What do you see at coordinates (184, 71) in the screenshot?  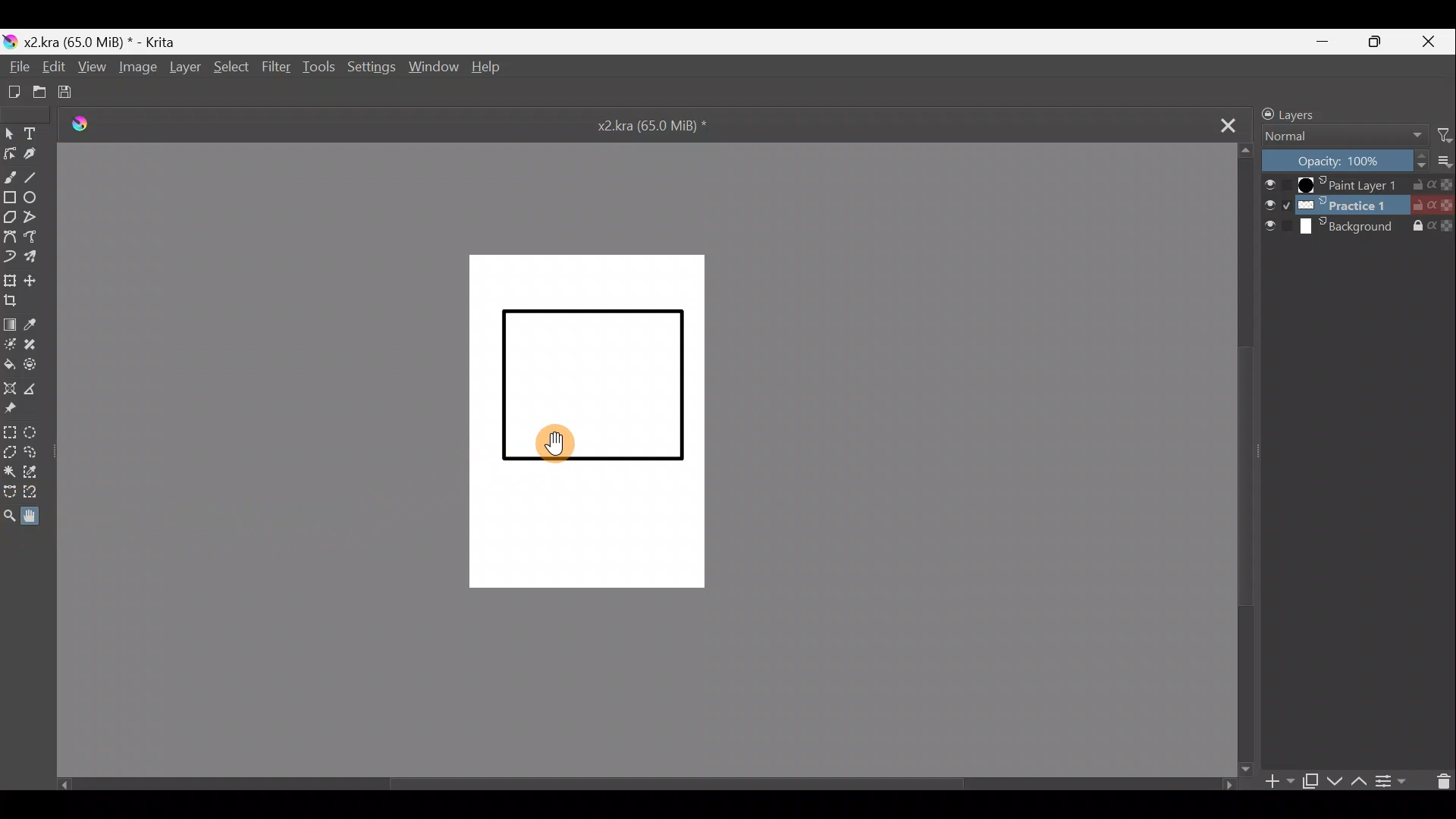 I see `Layer` at bounding box center [184, 71].